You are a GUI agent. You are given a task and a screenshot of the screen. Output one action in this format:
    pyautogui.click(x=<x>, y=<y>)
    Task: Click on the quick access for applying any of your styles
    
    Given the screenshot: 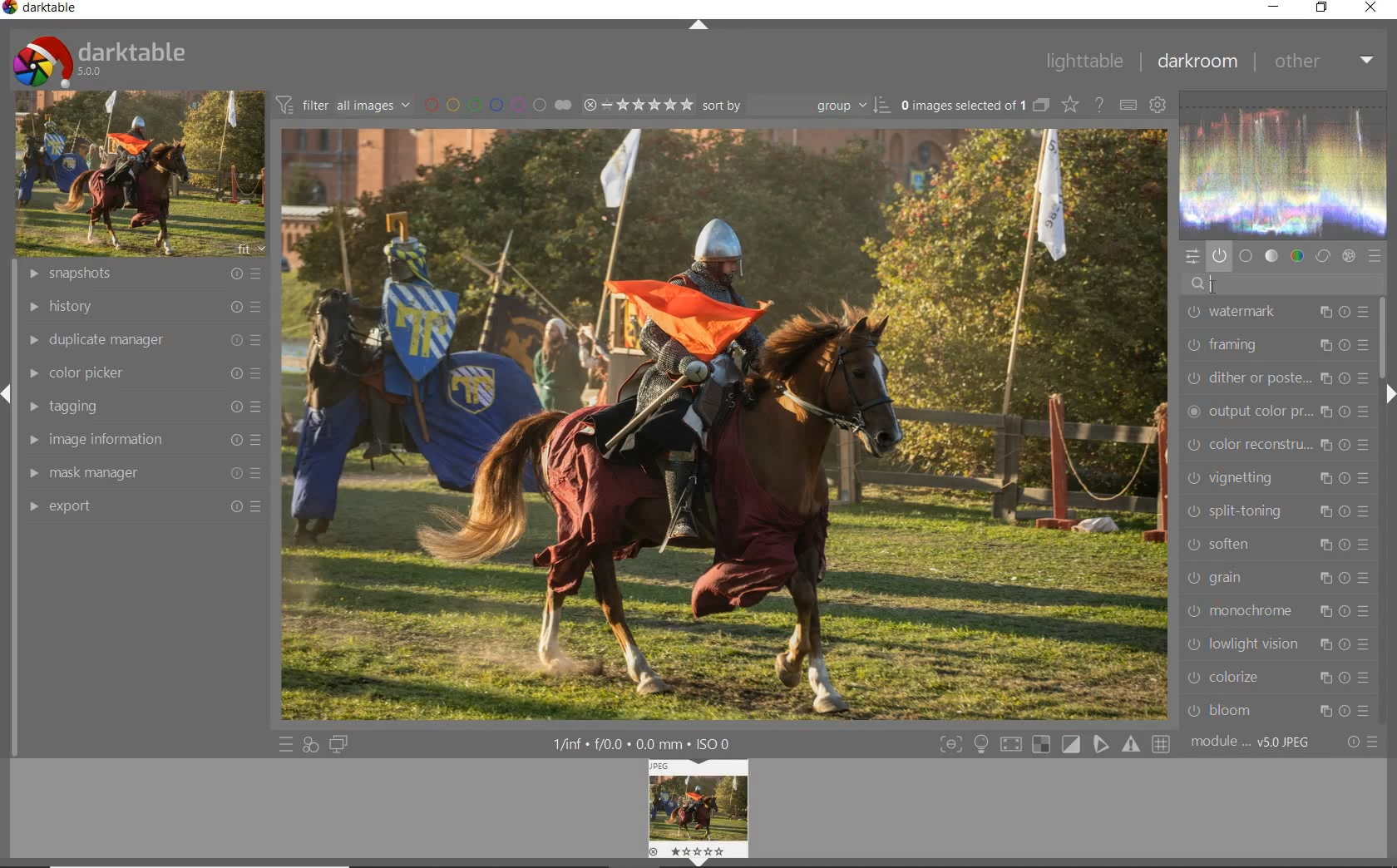 What is the action you would take?
    pyautogui.click(x=312, y=743)
    